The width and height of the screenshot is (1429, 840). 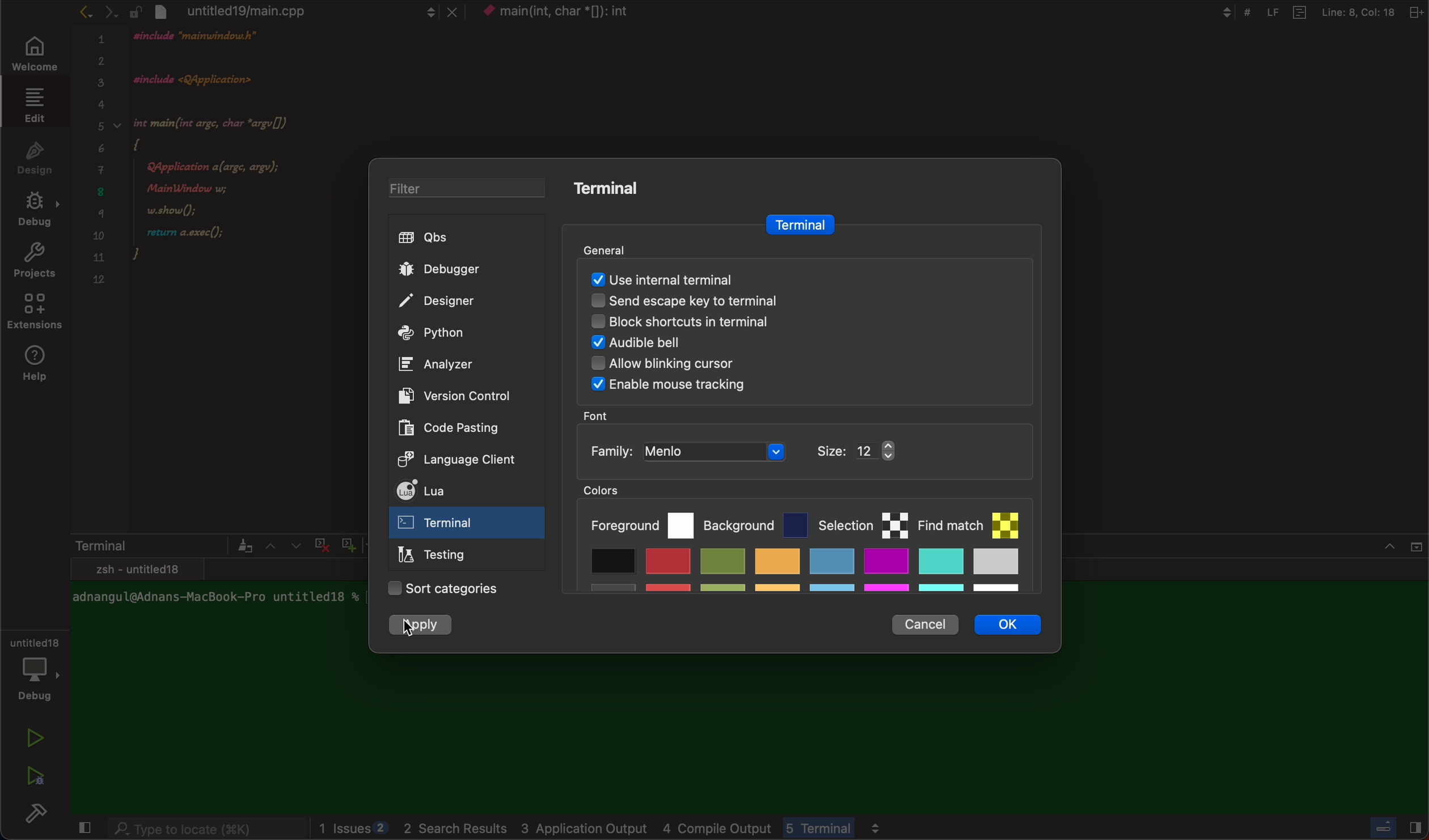 I want to click on audible bell, so click(x=767, y=345).